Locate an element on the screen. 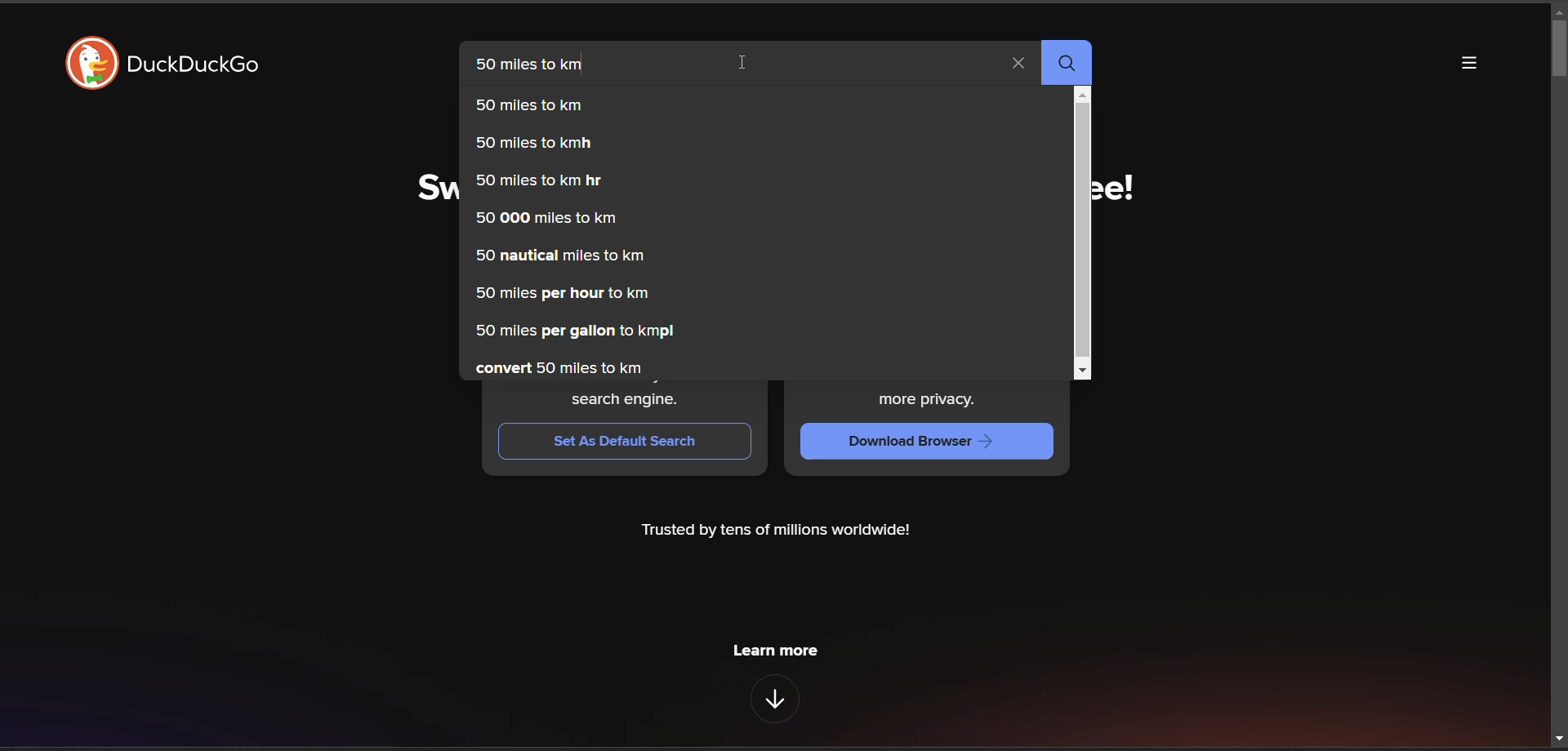  logo is located at coordinates (92, 63).